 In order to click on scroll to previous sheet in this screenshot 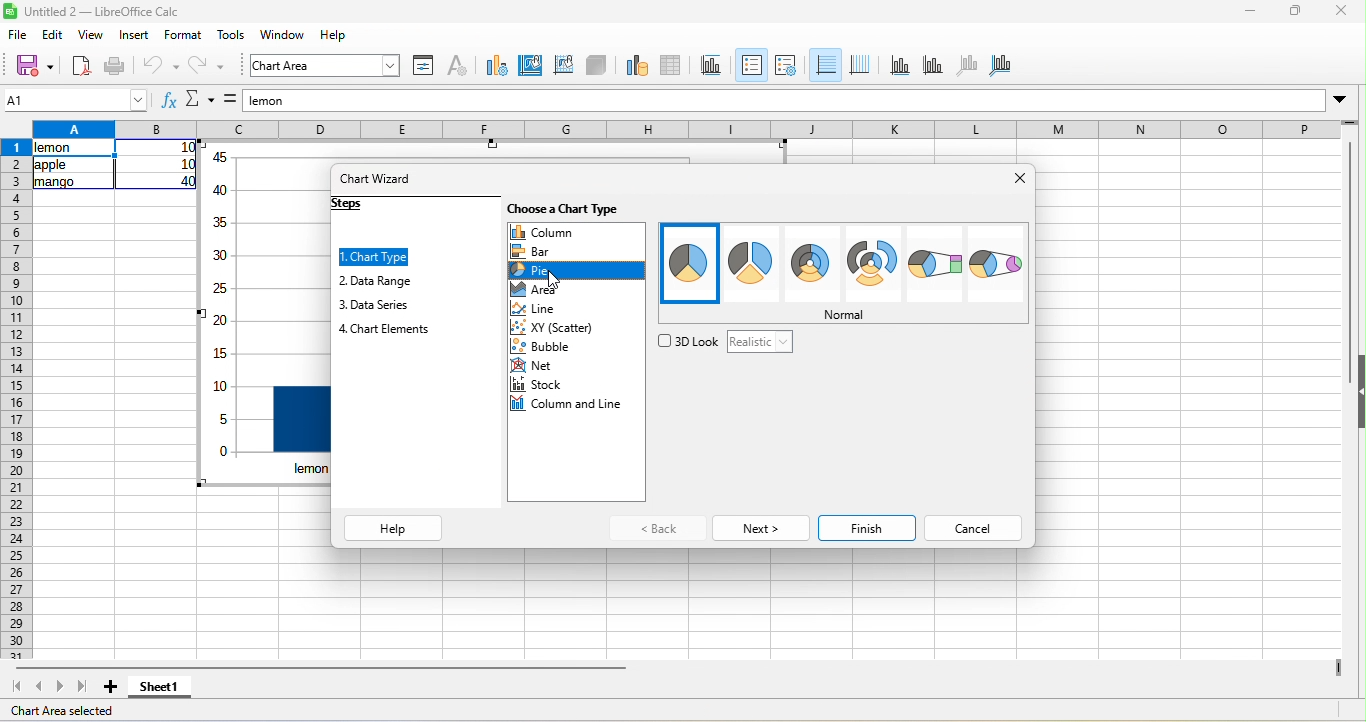, I will do `click(42, 688)`.